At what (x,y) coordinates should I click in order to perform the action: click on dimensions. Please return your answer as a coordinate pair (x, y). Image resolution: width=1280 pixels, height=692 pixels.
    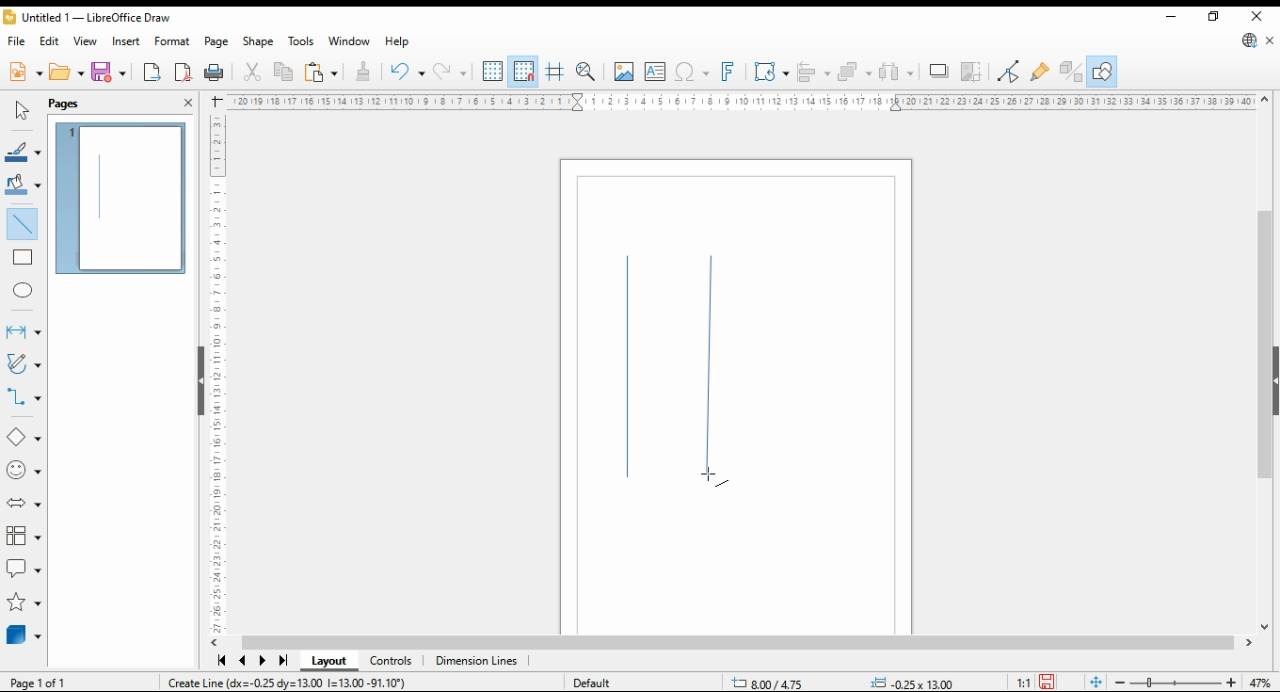
    Looking at the image, I should click on (477, 661).